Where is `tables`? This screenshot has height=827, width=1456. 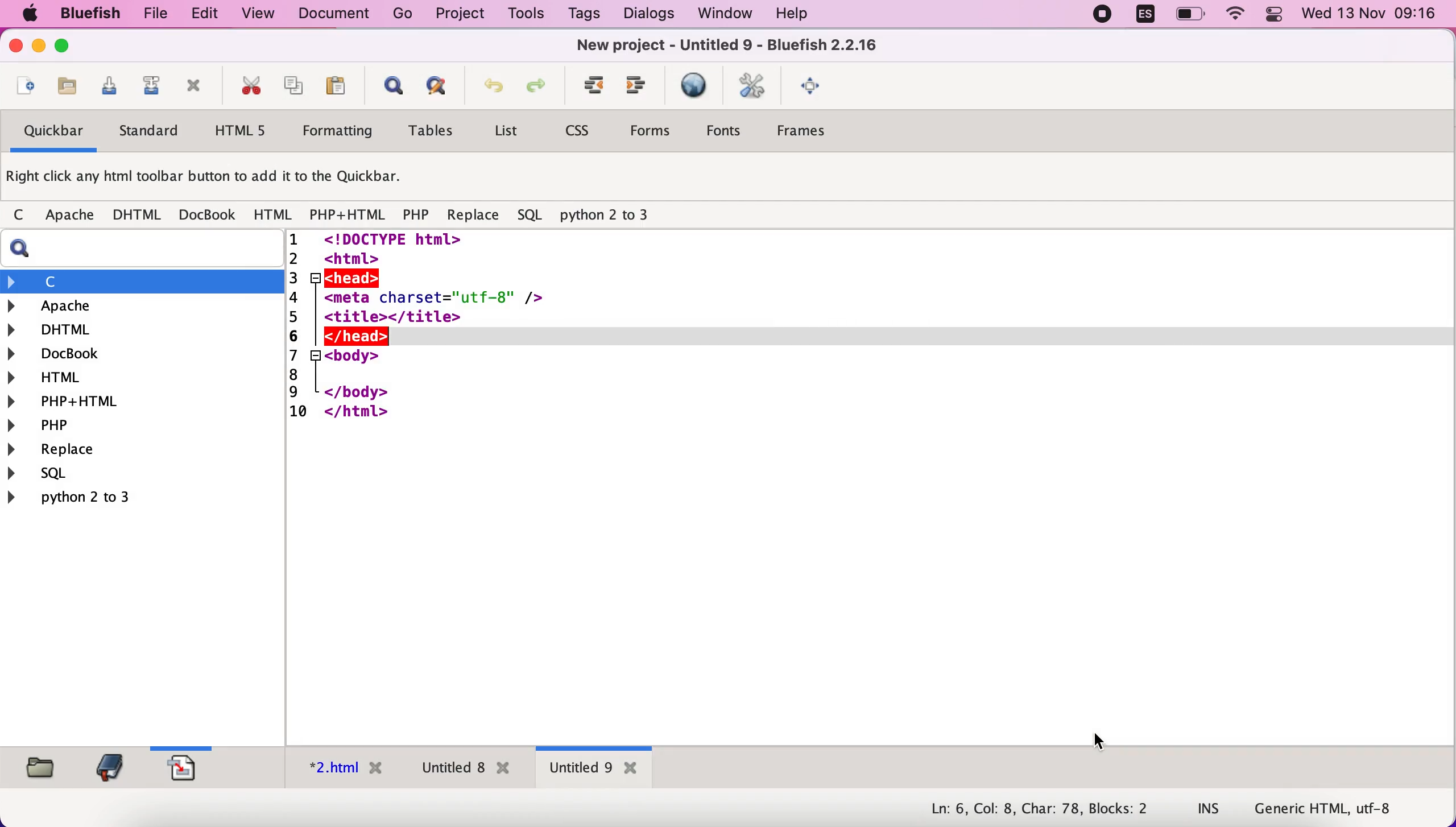
tables is located at coordinates (431, 133).